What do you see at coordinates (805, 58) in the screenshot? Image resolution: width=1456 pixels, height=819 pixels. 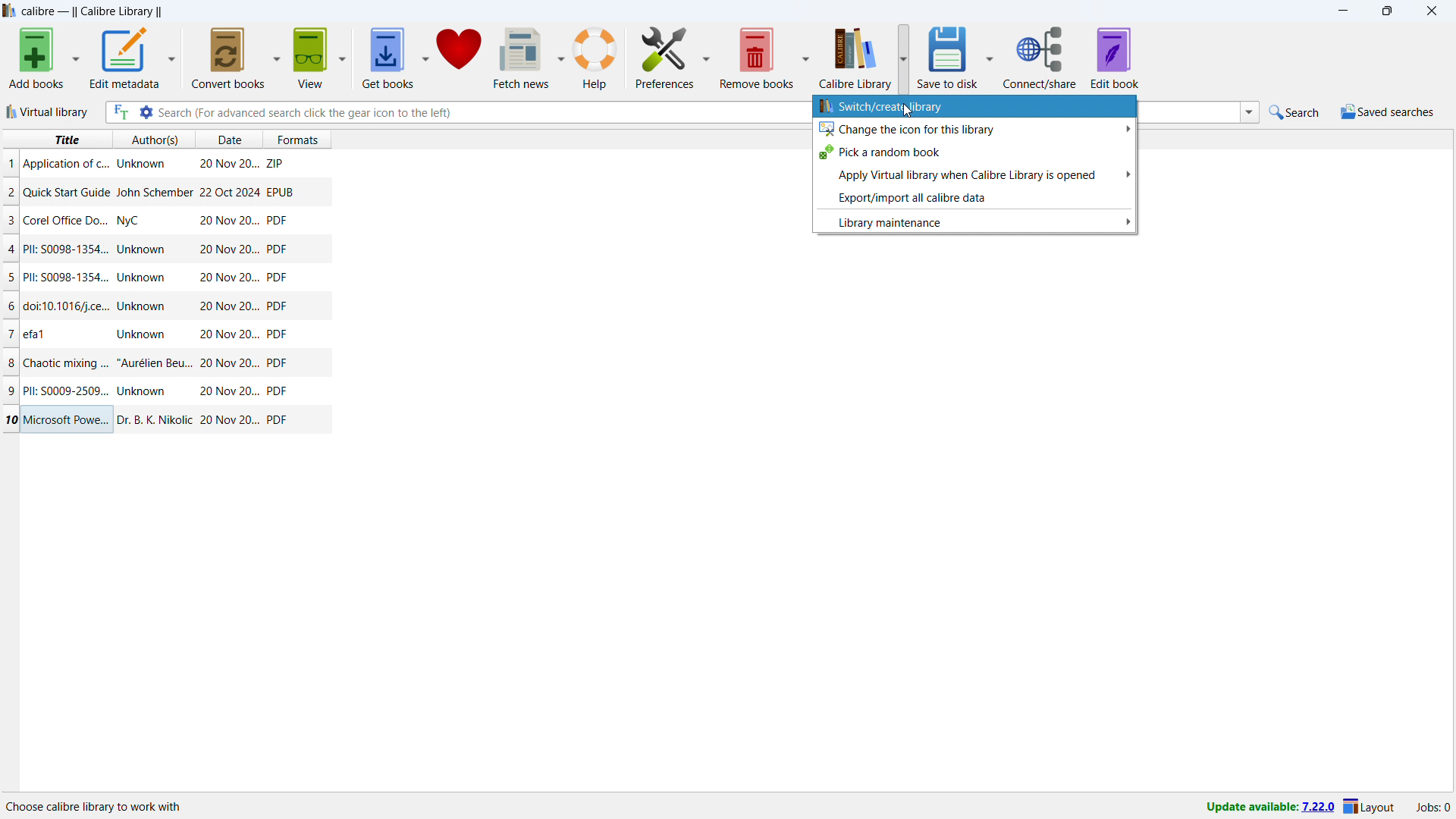 I see `remove books options` at bounding box center [805, 58].